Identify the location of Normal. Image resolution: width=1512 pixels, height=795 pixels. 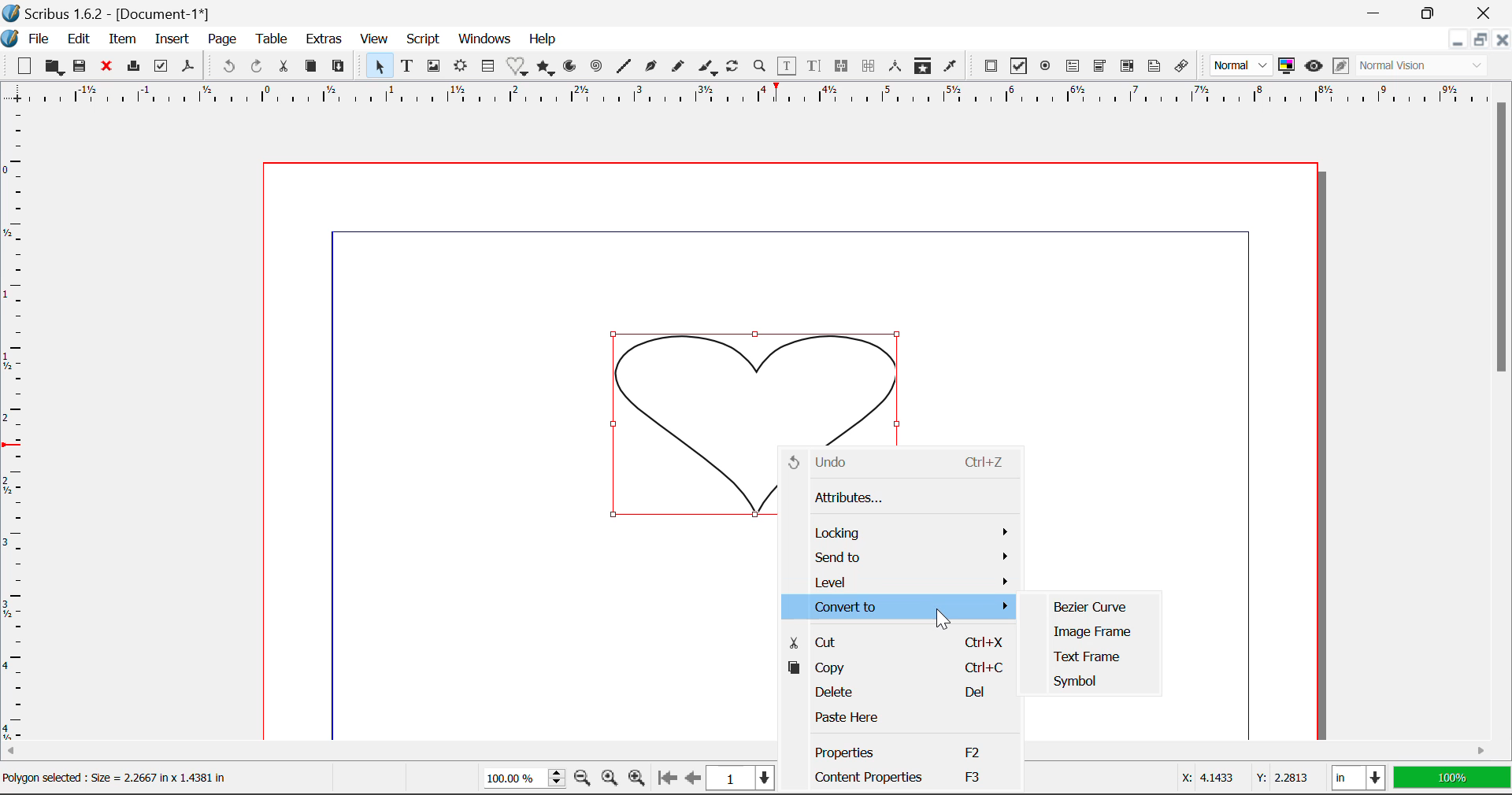
(1243, 65).